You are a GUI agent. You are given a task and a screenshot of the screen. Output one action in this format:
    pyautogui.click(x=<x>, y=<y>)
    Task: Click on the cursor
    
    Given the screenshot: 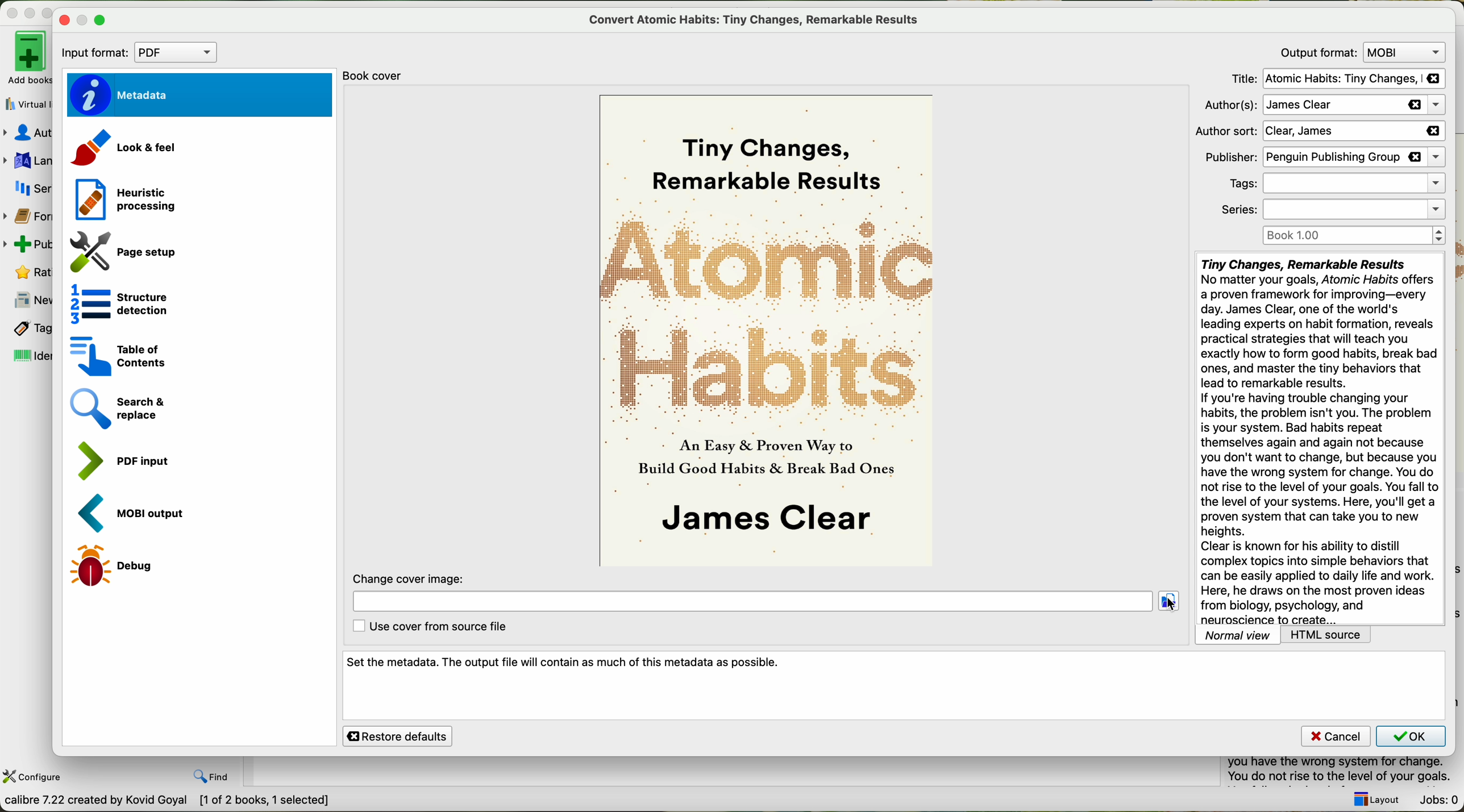 What is the action you would take?
    pyautogui.click(x=1170, y=603)
    